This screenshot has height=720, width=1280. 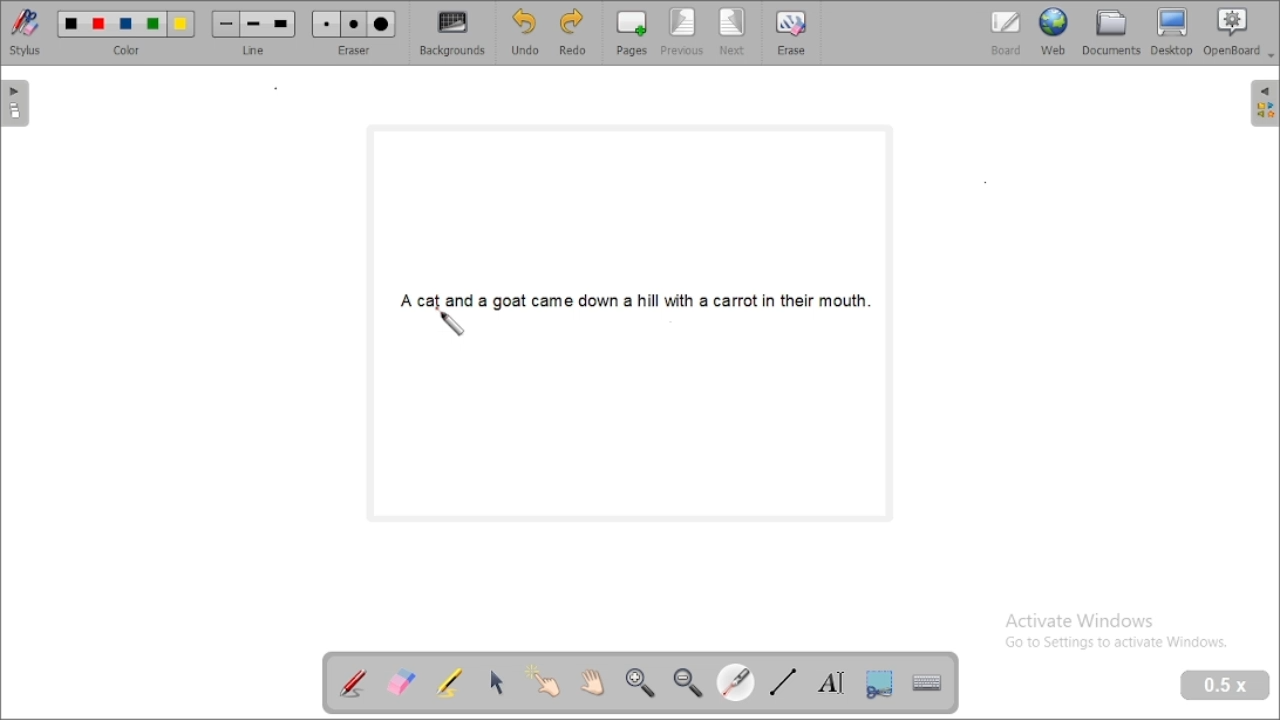 What do you see at coordinates (127, 33) in the screenshot?
I see `color` at bounding box center [127, 33].